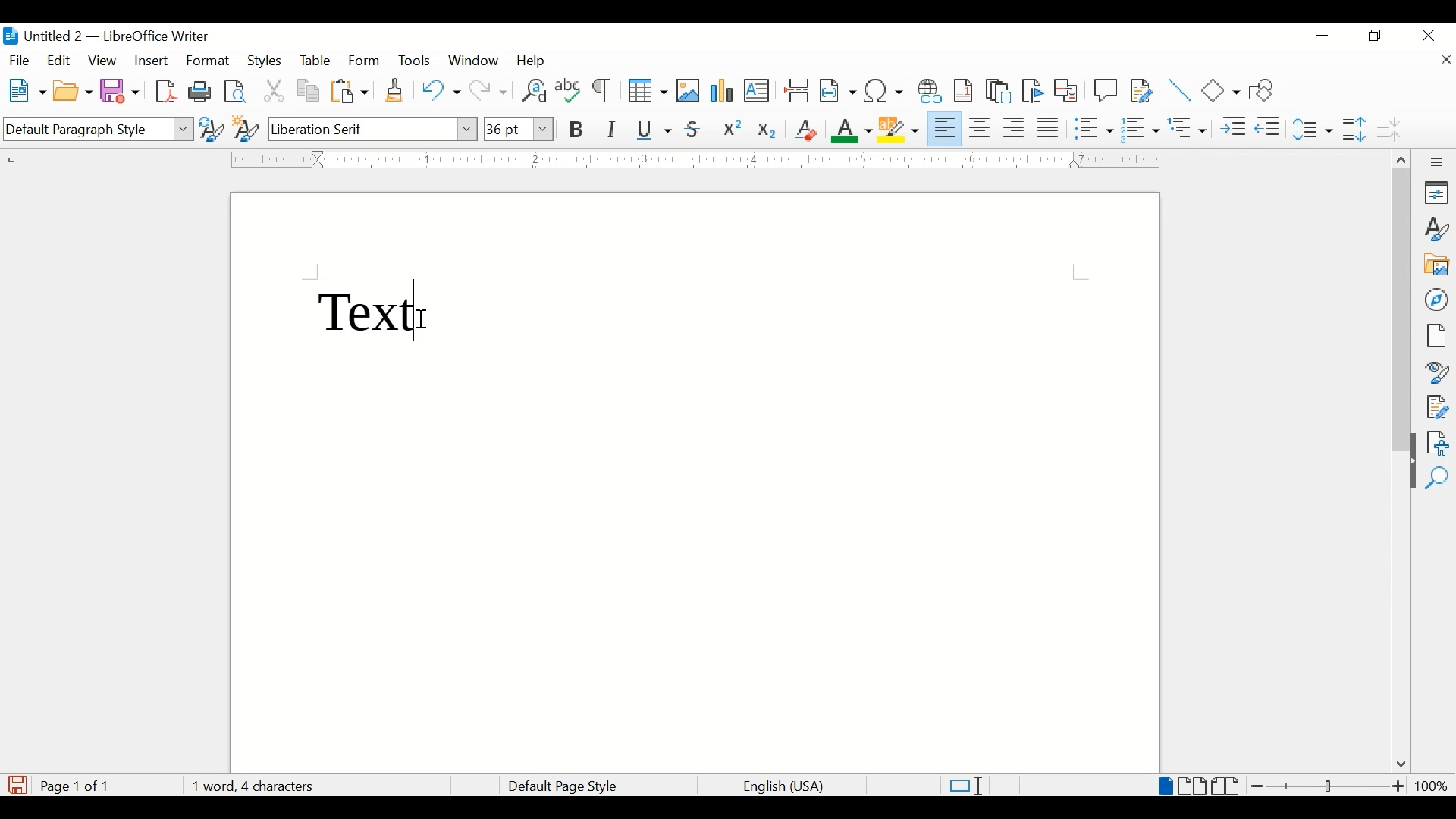  I want to click on save document, so click(17, 785).